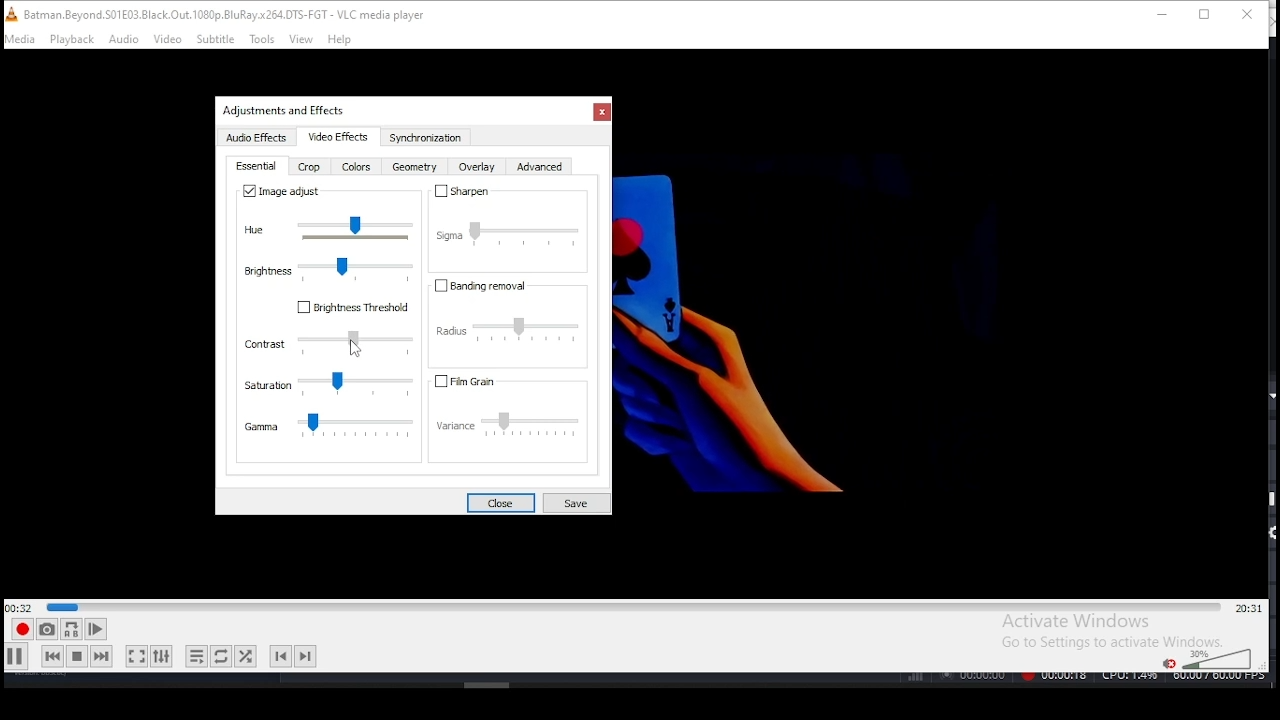  What do you see at coordinates (219, 657) in the screenshot?
I see `click to toggle between, loop all, loop one, and no loop` at bounding box center [219, 657].